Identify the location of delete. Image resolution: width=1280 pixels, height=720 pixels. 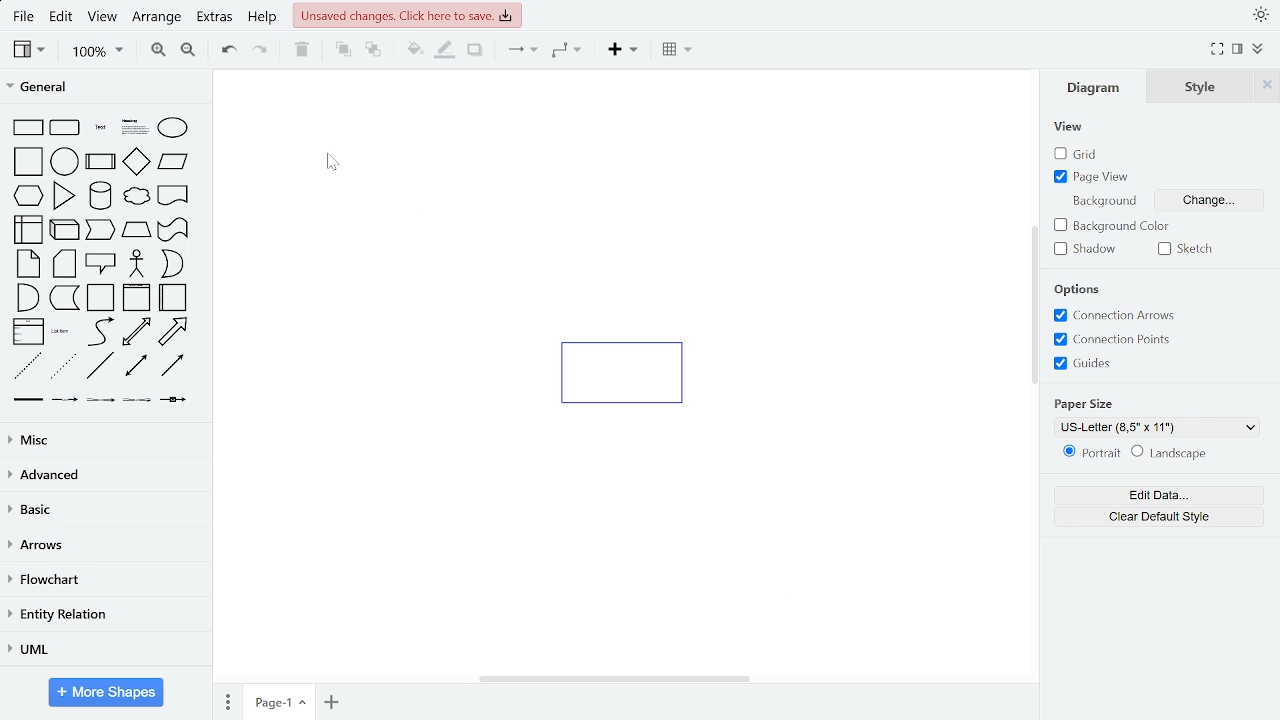
(300, 51).